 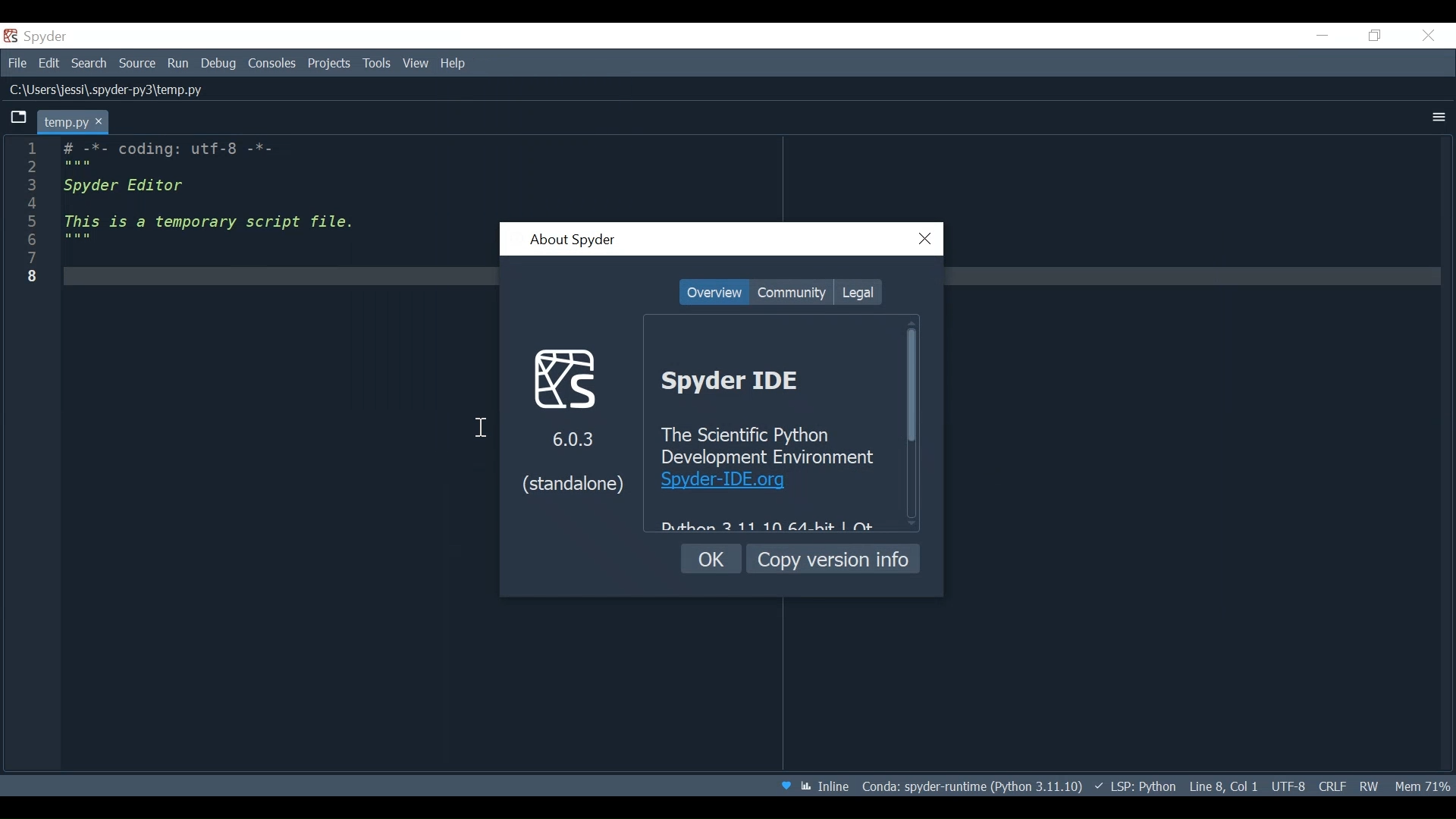 I want to click on Close, so click(x=924, y=238).